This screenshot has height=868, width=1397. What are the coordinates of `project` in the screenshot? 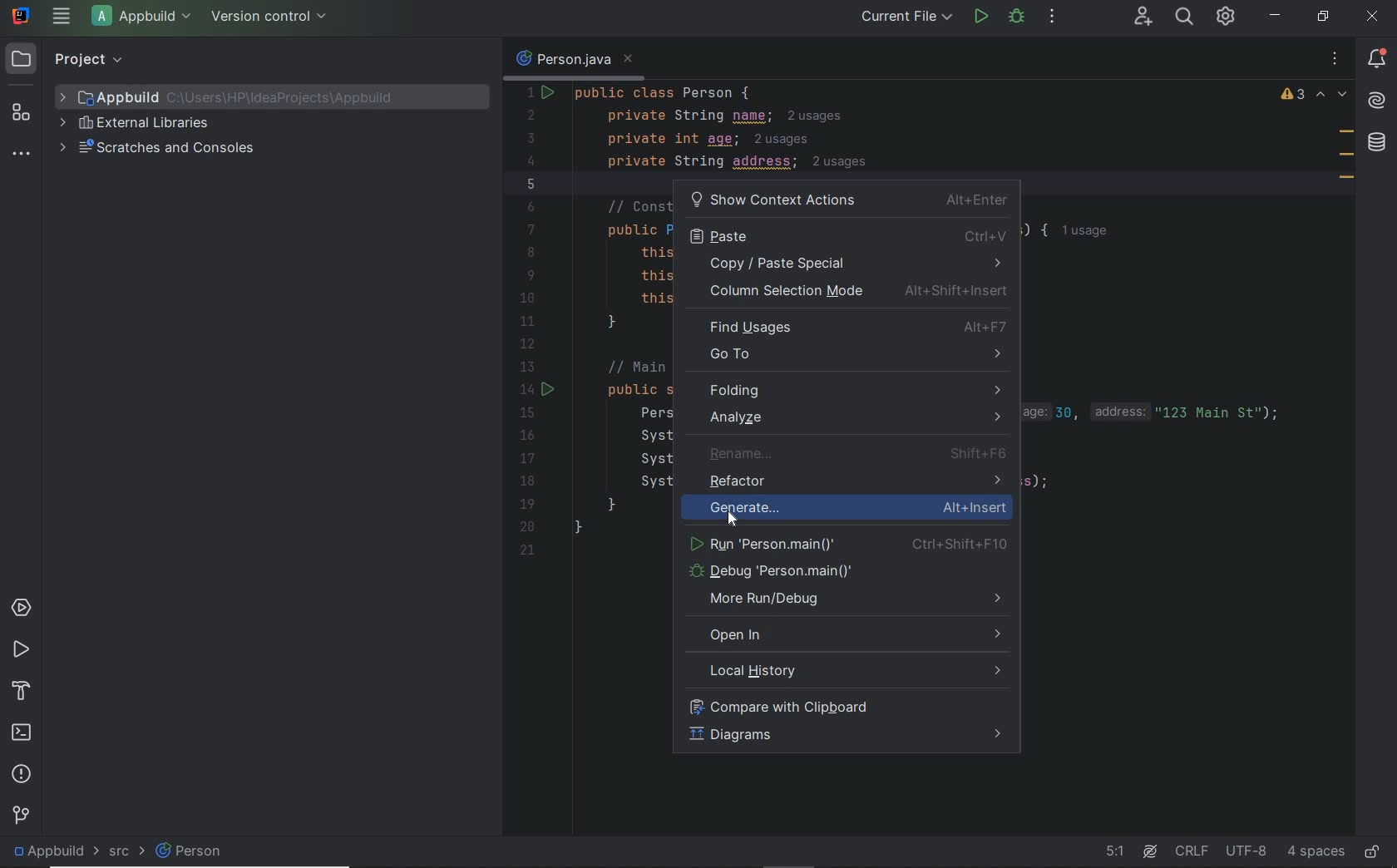 It's located at (70, 59).